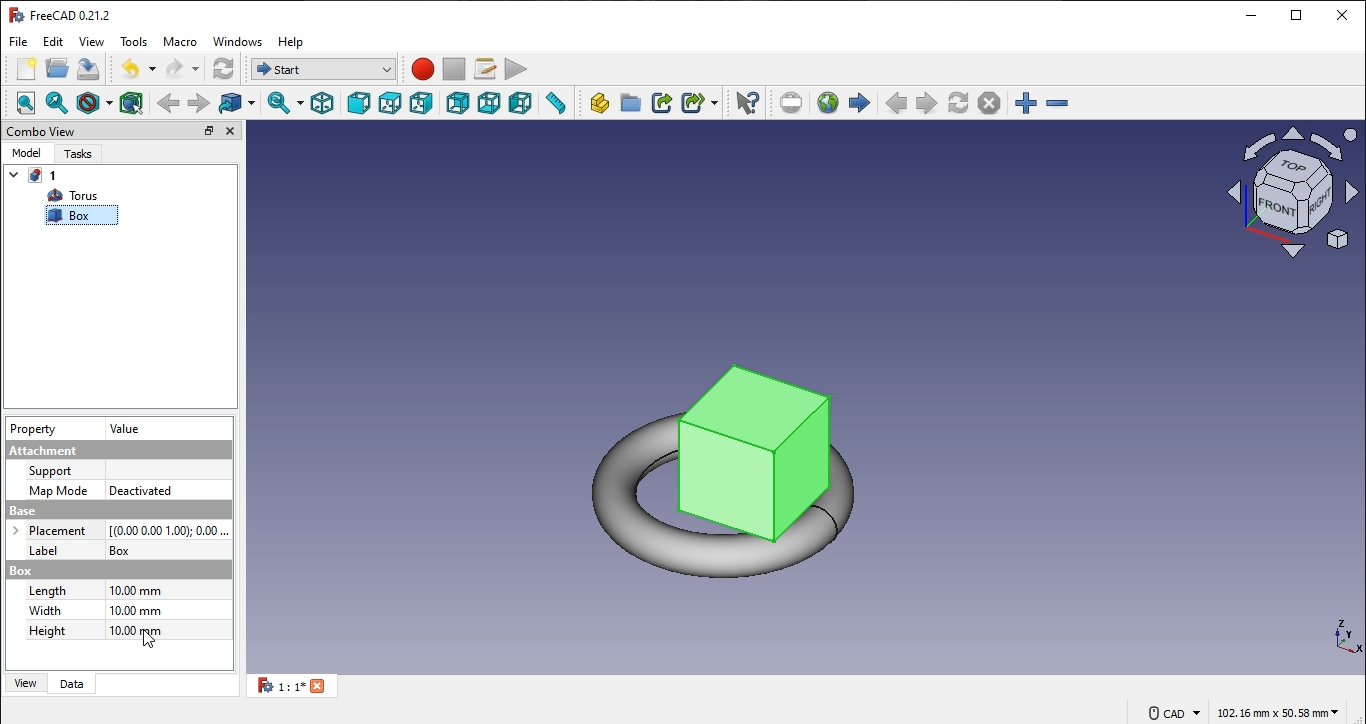 Image resolution: width=1366 pixels, height=724 pixels. I want to click on base, so click(115, 510).